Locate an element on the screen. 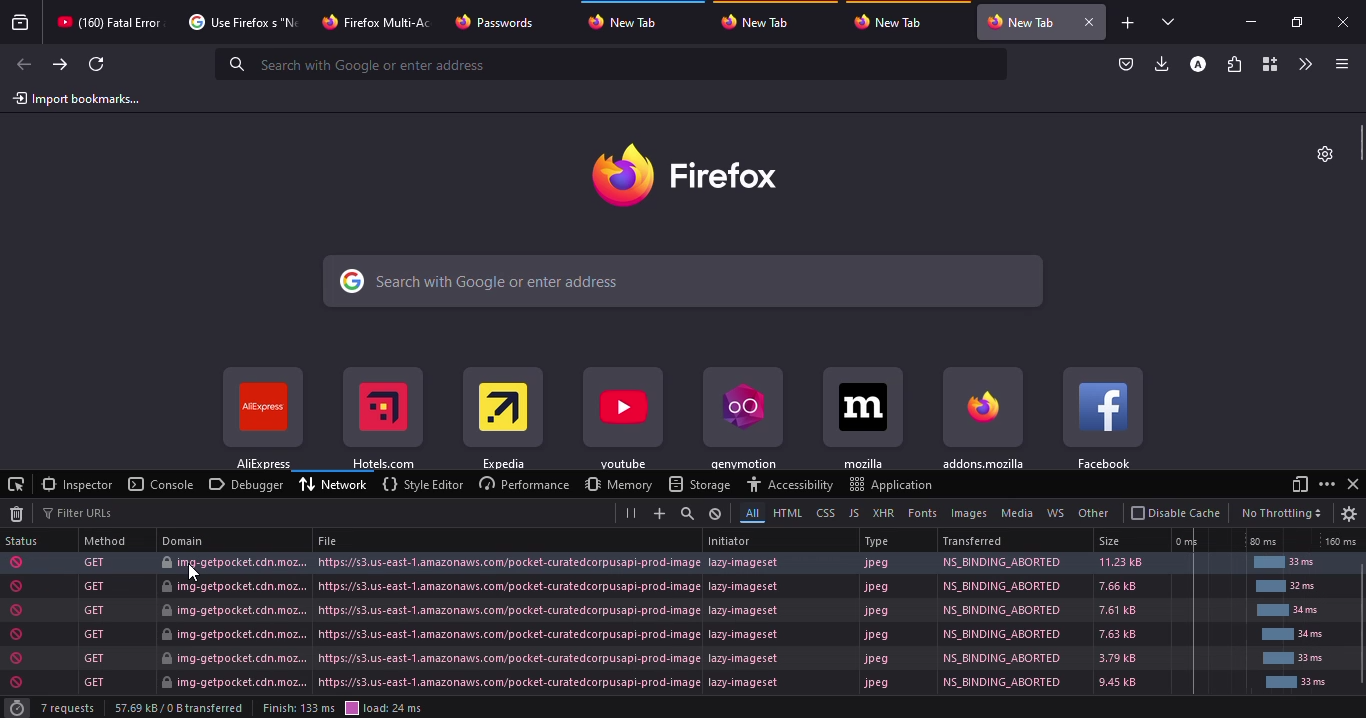 The height and width of the screenshot is (718, 1366). debugger is located at coordinates (246, 483).